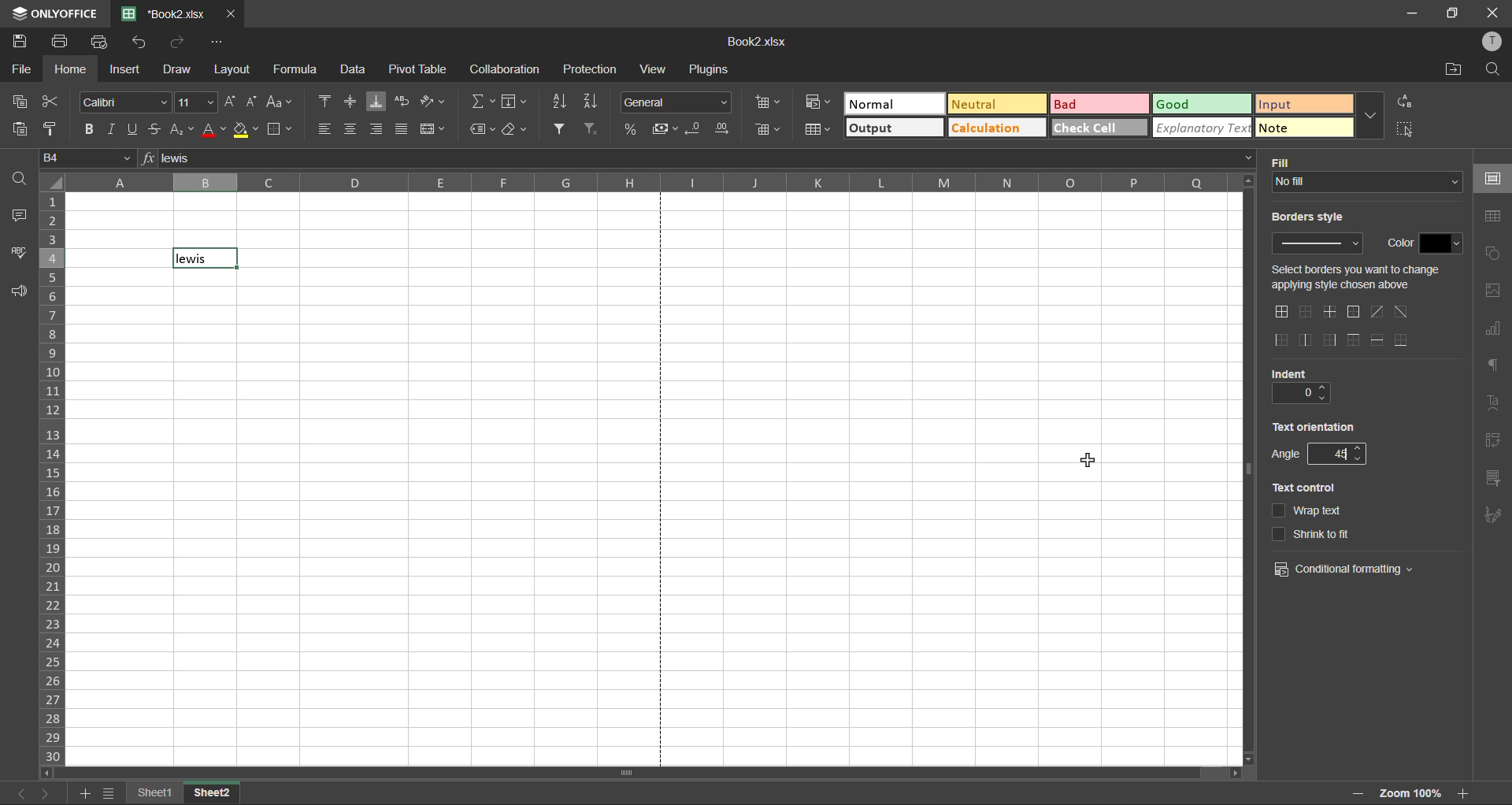 The width and height of the screenshot is (1512, 805). I want to click on pivot table, so click(418, 68).